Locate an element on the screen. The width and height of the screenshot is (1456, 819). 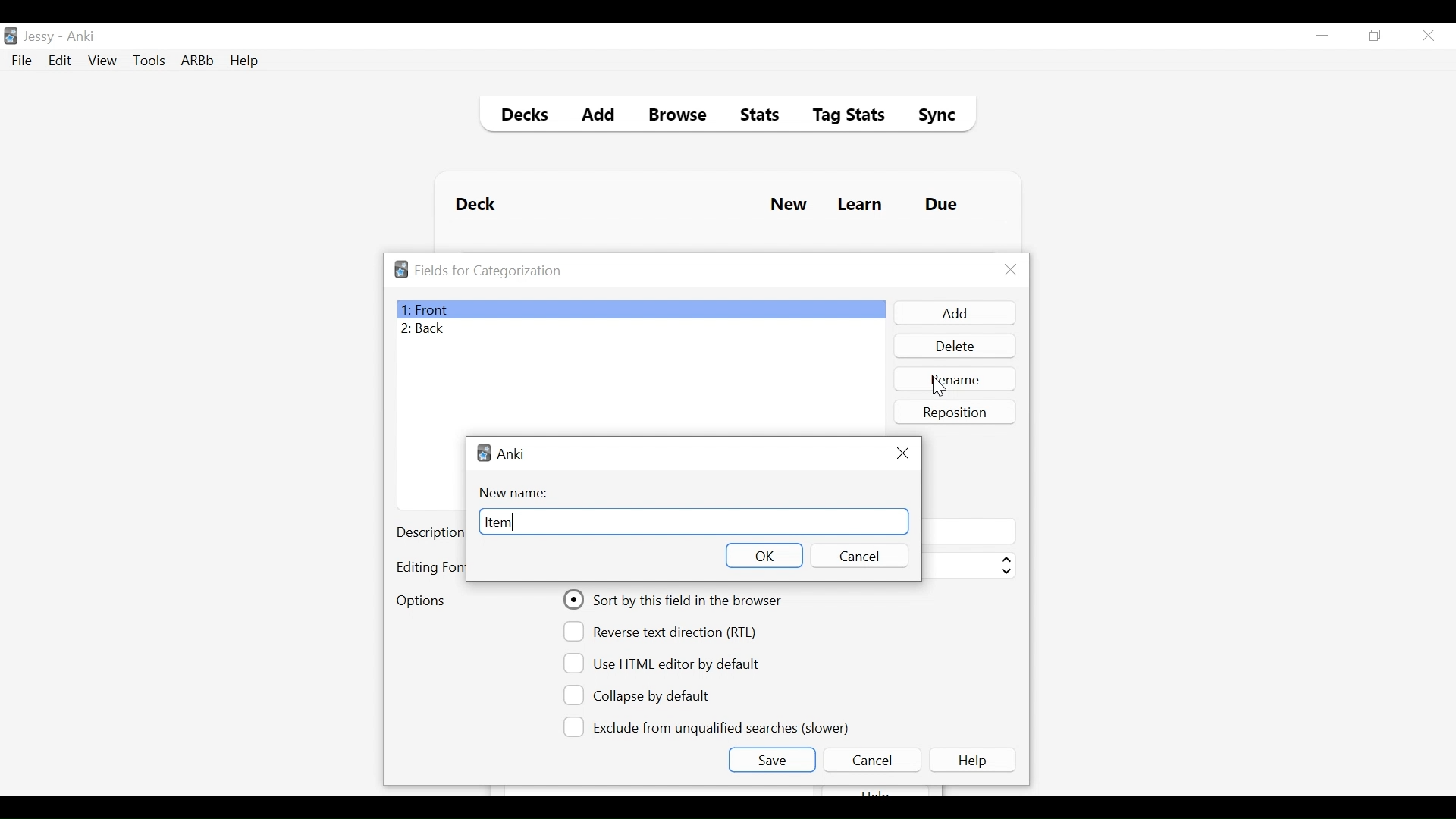
Due is located at coordinates (943, 205).